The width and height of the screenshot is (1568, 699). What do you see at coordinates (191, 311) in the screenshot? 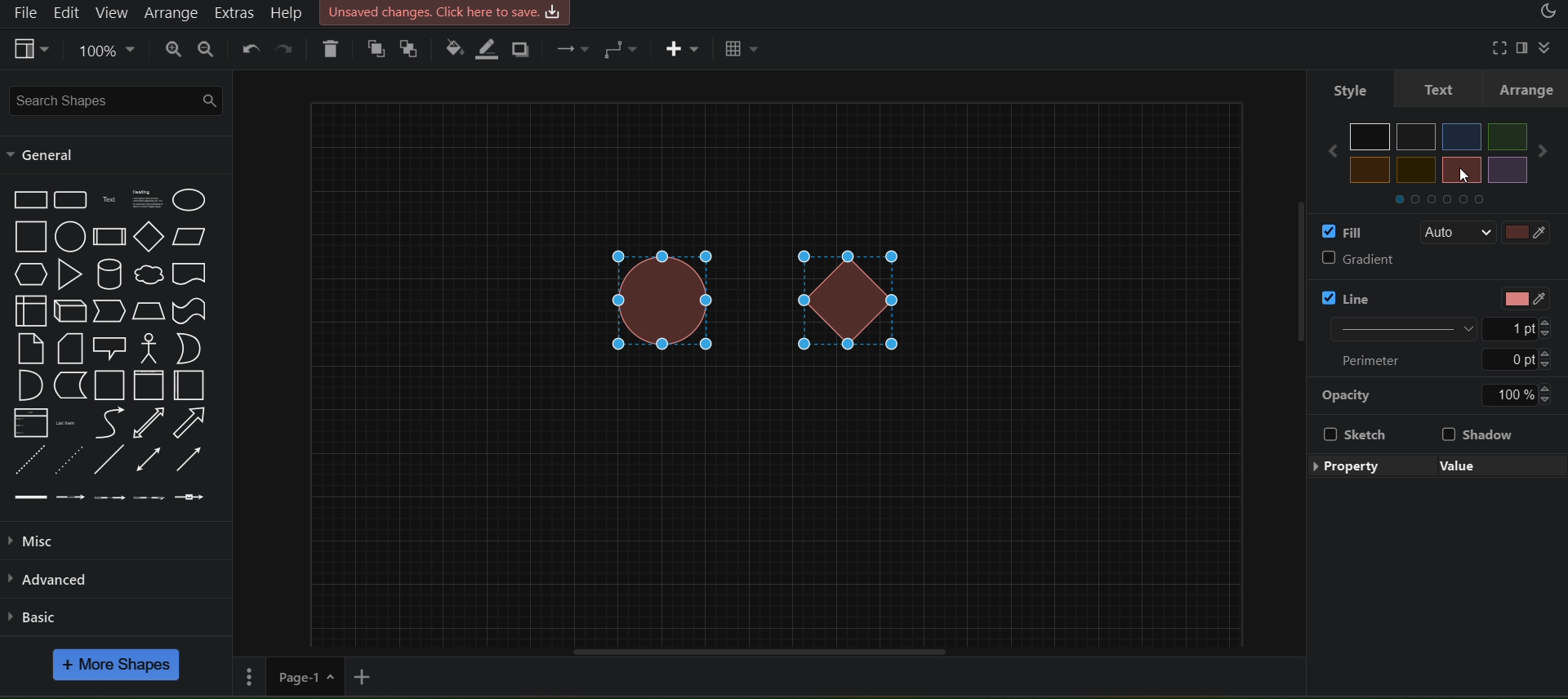
I see `Tape` at bounding box center [191, 311].